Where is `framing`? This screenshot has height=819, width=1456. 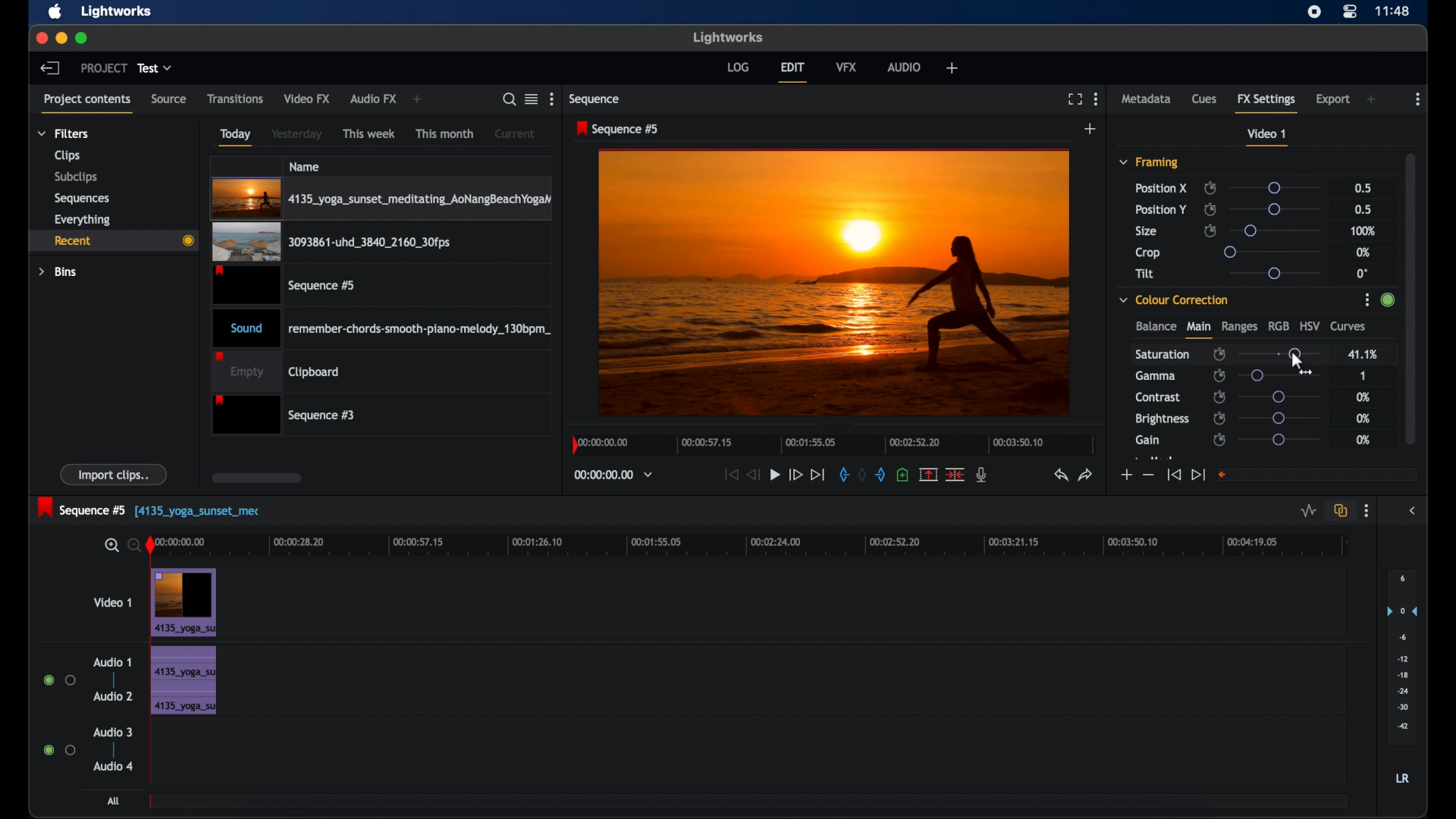 framing is located at coordinates (1150, 163).